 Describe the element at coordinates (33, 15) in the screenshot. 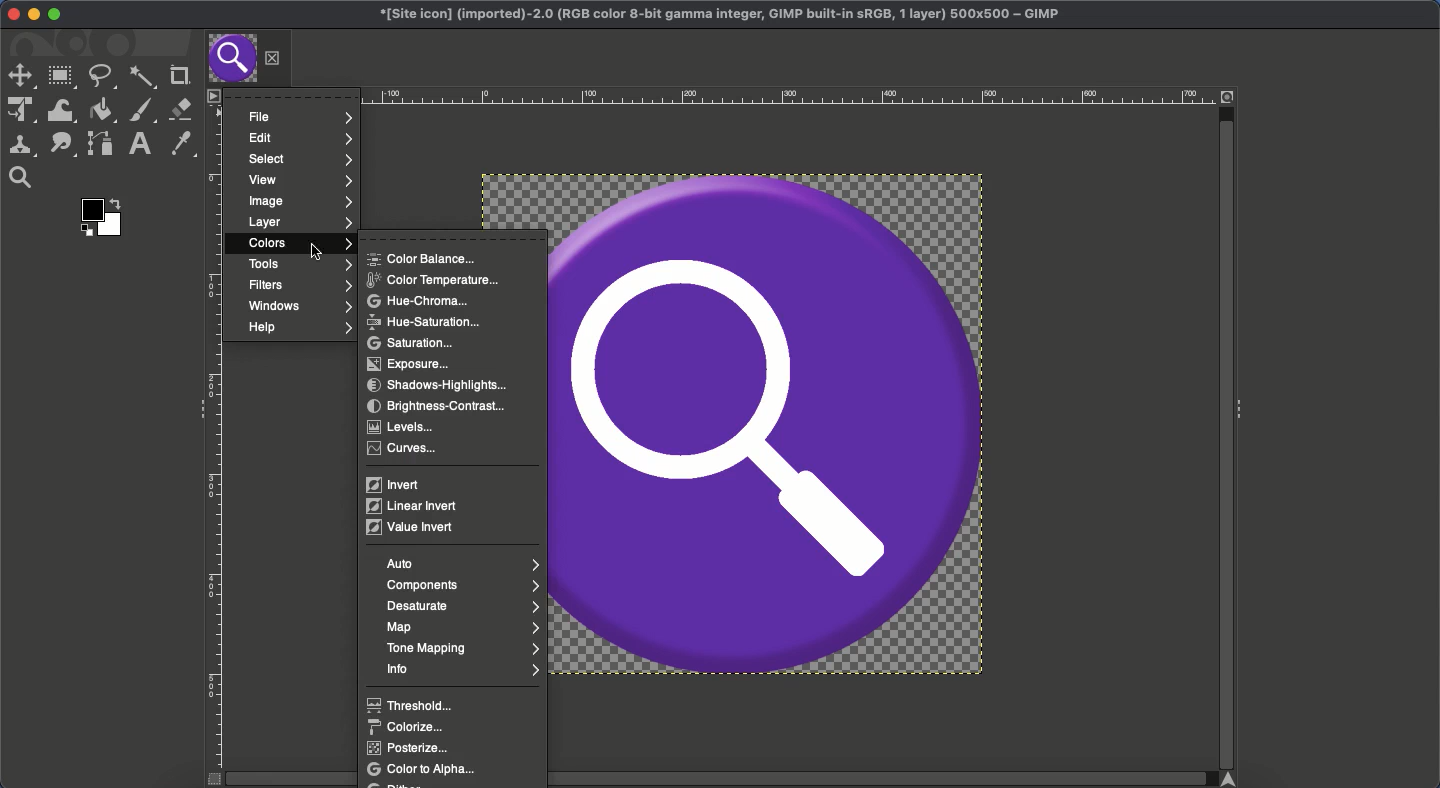

I see `Minimize` at that location.